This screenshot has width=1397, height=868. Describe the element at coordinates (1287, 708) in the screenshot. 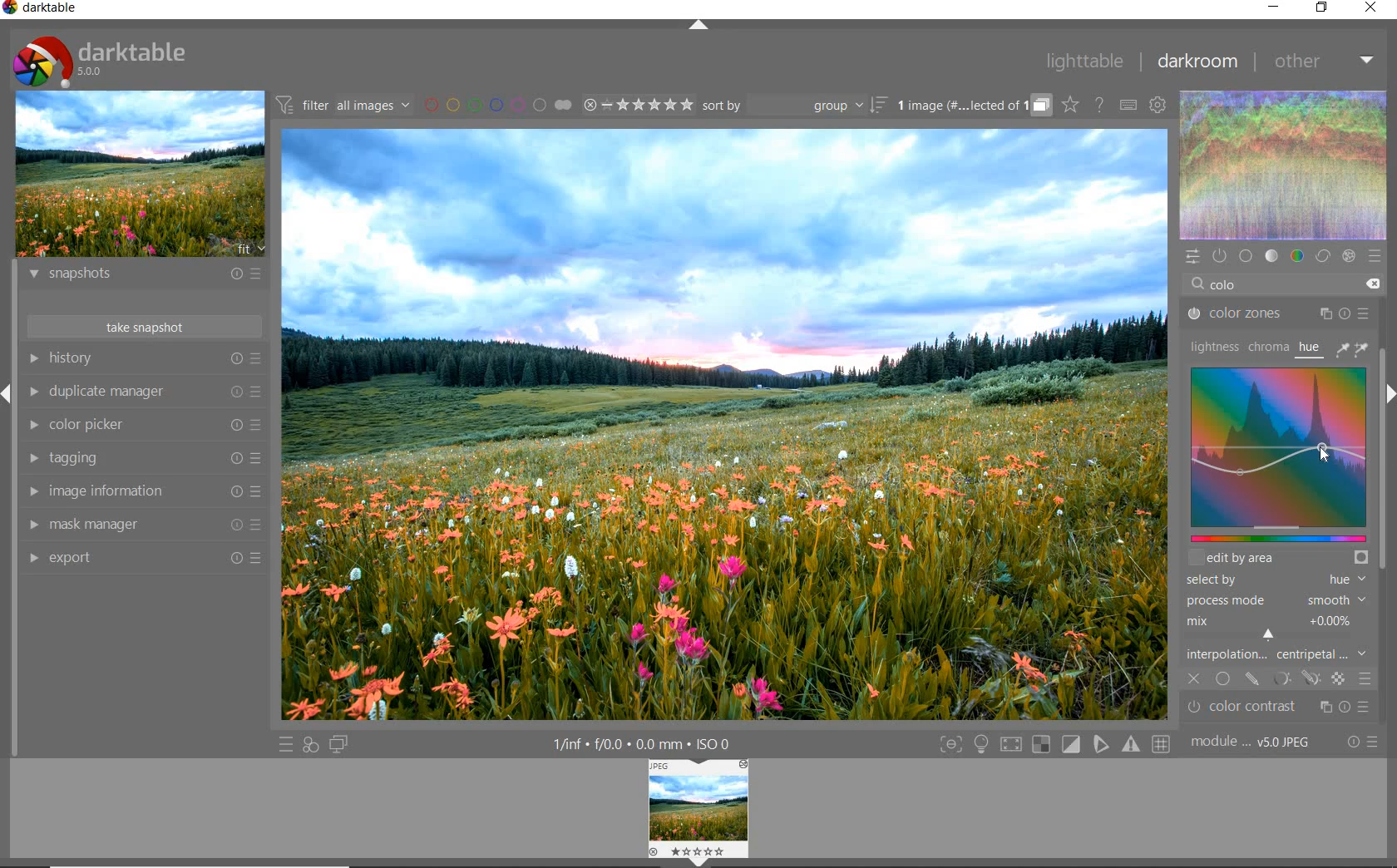

I see `Color contrast` at that location.